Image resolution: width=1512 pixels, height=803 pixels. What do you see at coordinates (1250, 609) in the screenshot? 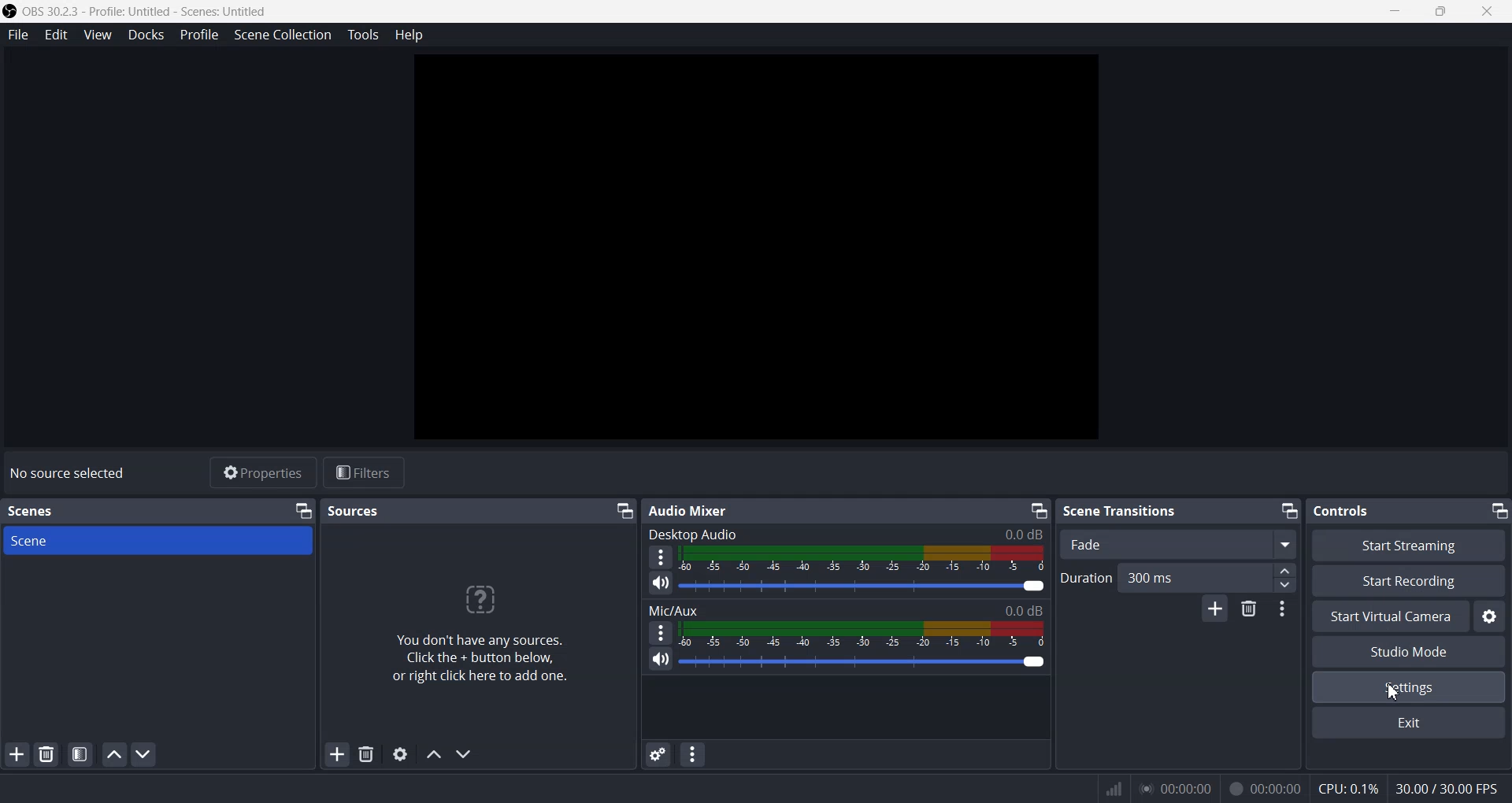
I see `Remove configurable transition` at bounding box center [1250, 609].